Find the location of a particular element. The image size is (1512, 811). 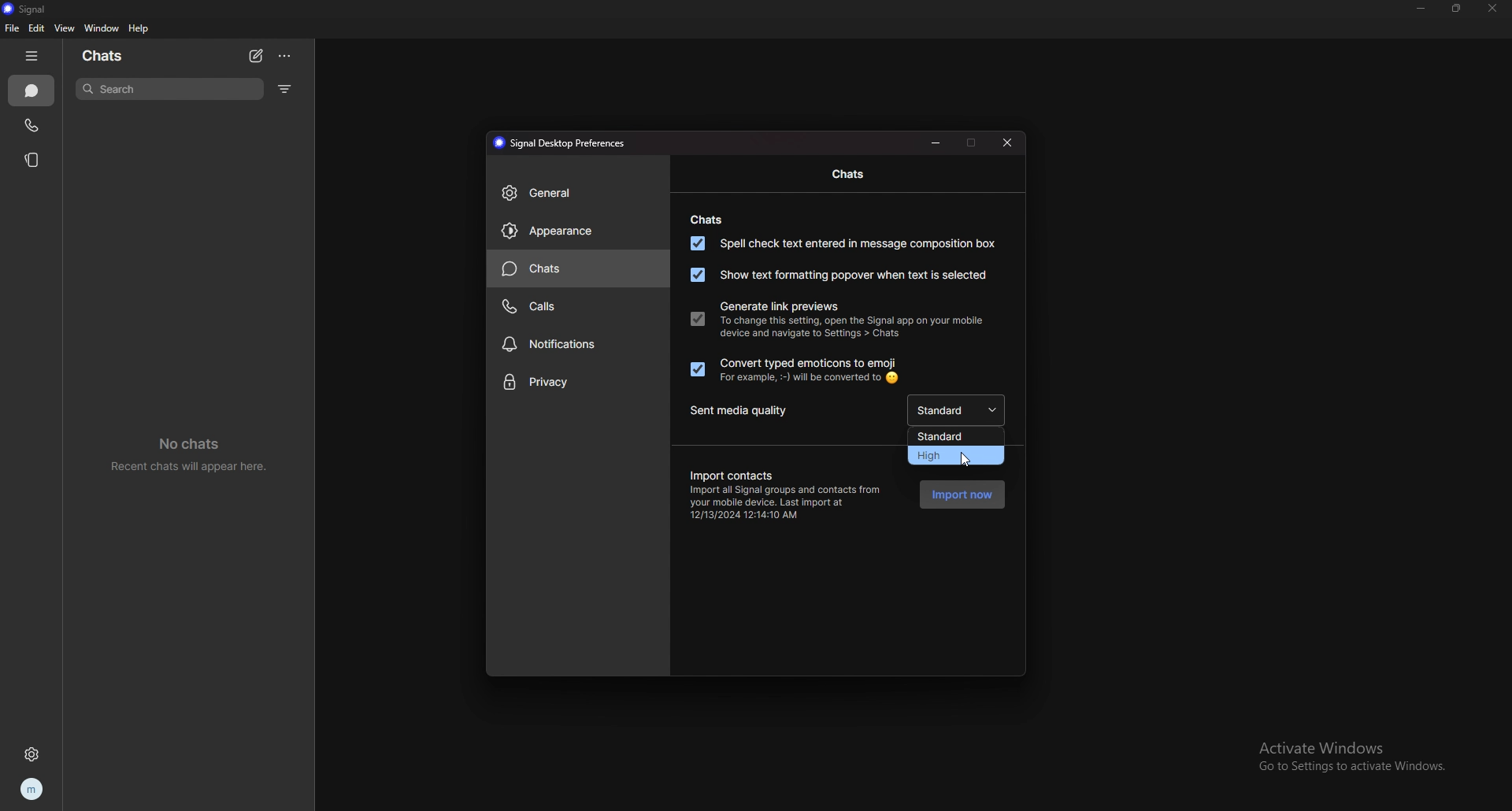

close is located at coordinates (1491, 9).